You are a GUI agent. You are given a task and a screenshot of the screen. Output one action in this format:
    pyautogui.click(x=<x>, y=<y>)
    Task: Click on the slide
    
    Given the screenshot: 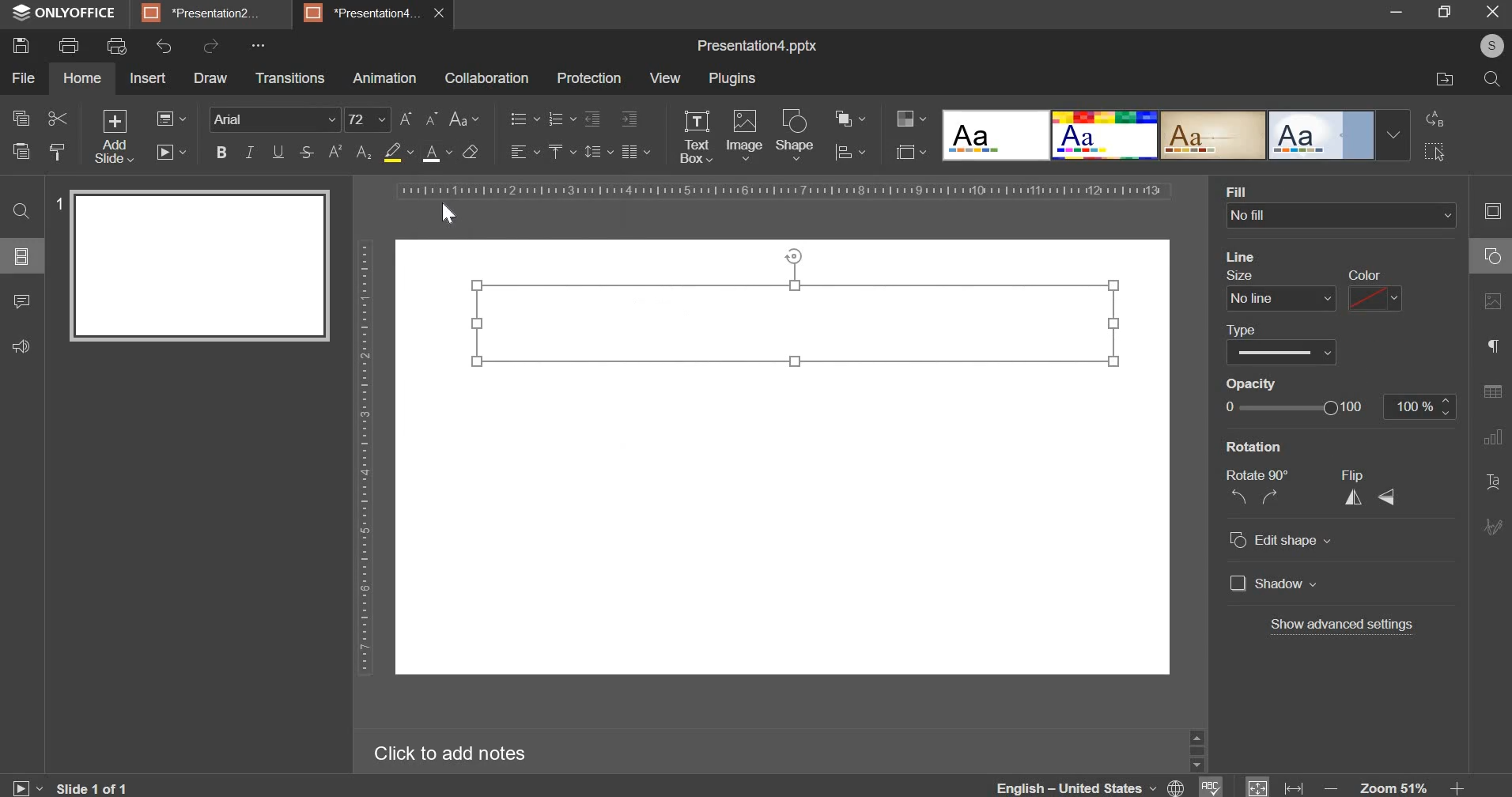 What is the action you would take?
    pyautogui.click(x=1490, y=213)
    